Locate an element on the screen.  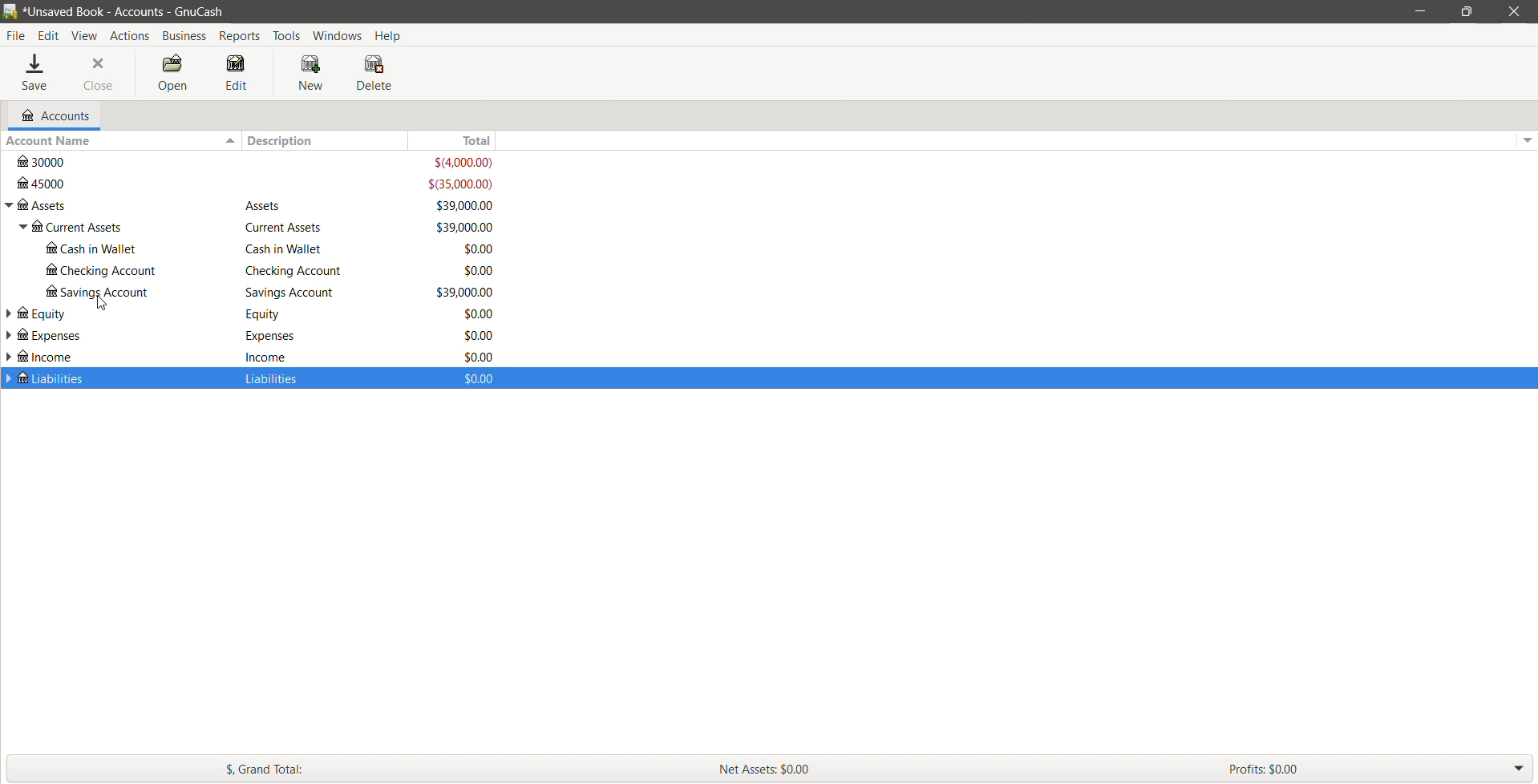
Profit is located at coordinates (1364, 770).